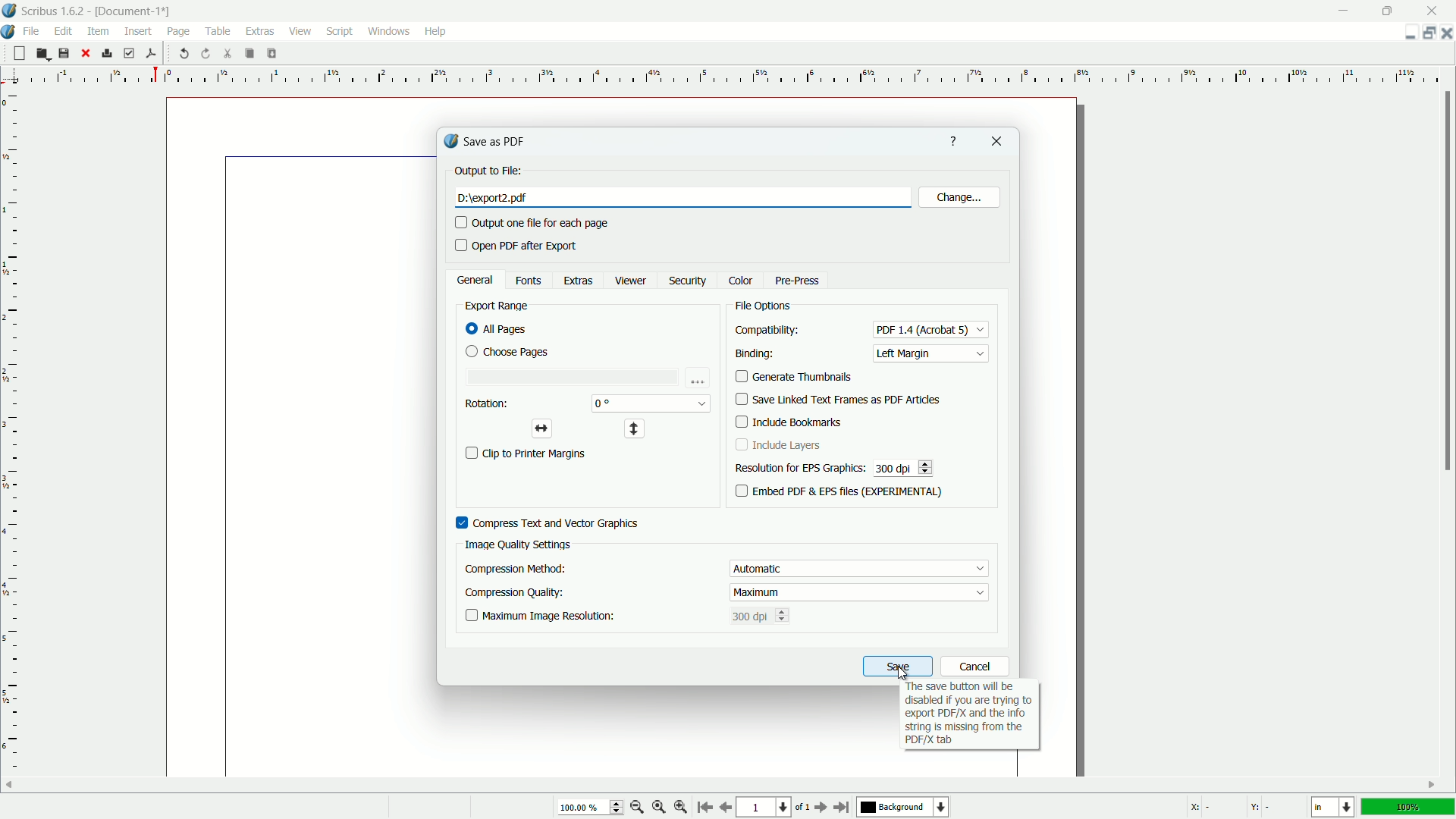 This screenshot has width=1456, height=819. Describe the element at coordinates (994, 142) in the screenshot. I see `close document` at that location.